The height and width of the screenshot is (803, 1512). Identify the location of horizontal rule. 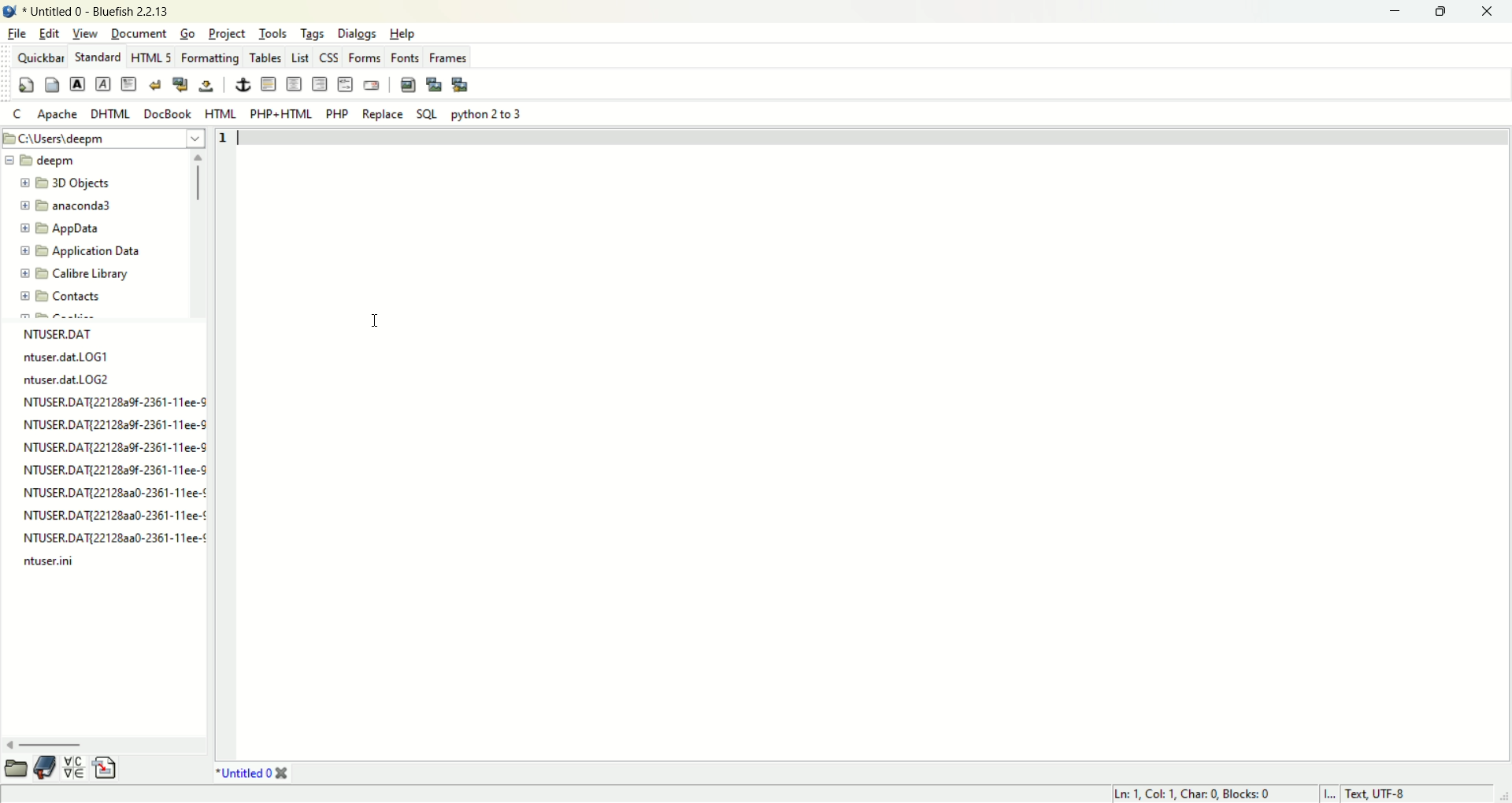
(267, 84).